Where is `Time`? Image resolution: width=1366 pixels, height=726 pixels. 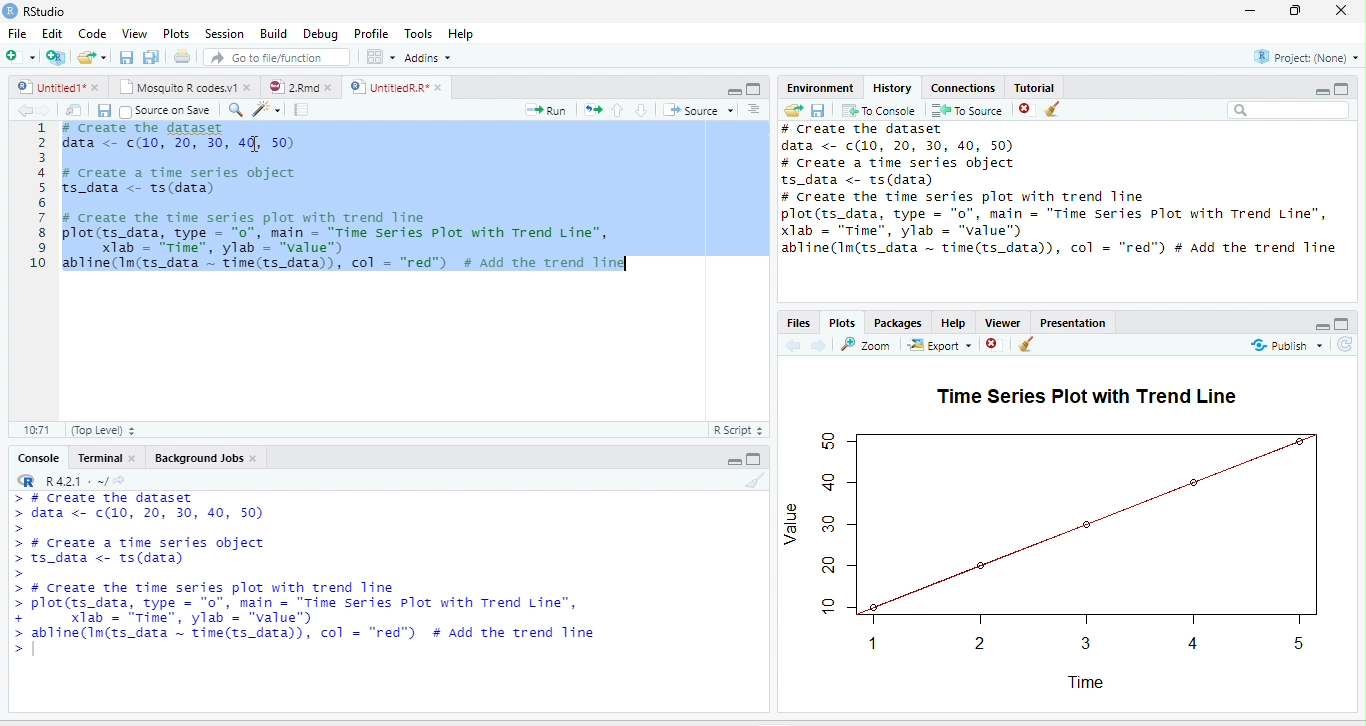
Time is located at coordinates (1086, 683).